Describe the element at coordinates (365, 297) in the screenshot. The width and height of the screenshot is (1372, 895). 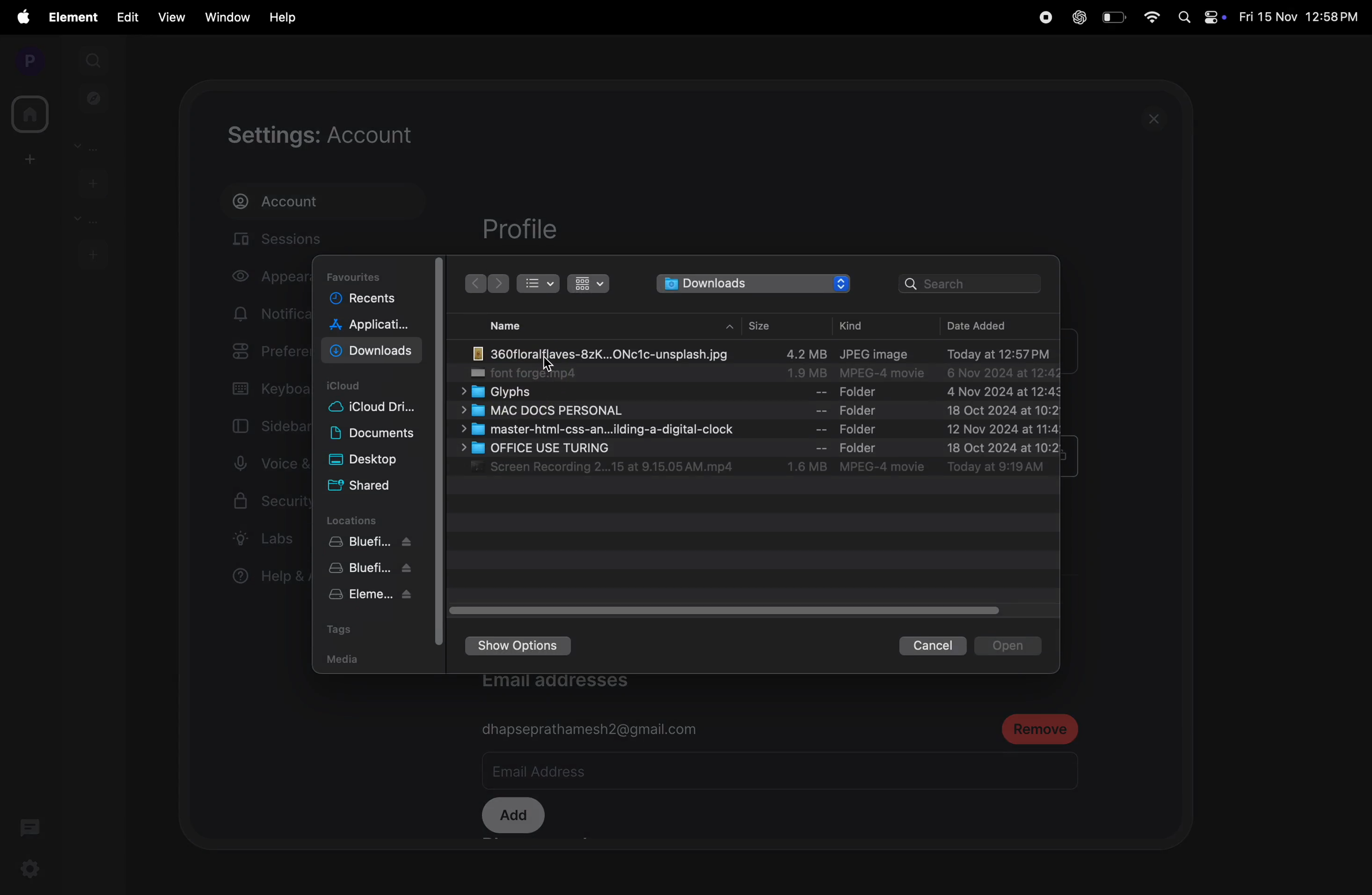
I see `recents` at that location.